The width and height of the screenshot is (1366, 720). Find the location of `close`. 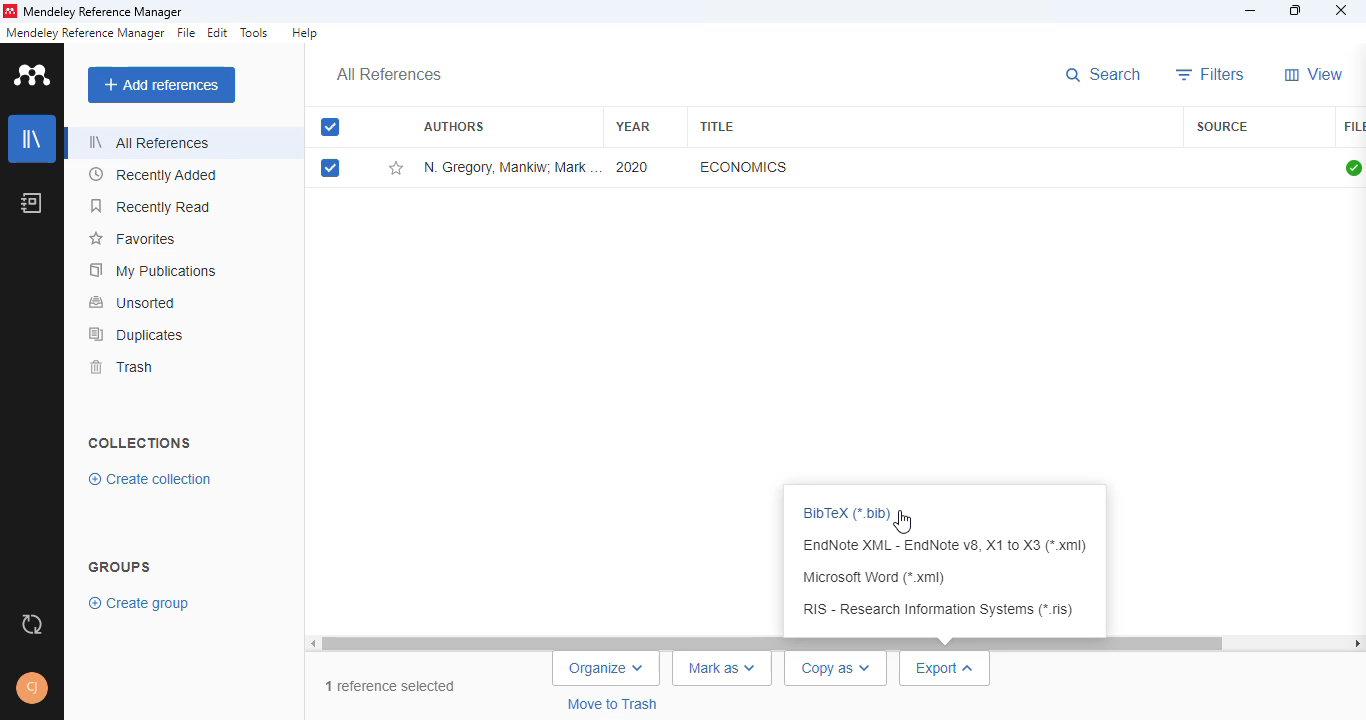

close is located at coordinates (1343, 11).